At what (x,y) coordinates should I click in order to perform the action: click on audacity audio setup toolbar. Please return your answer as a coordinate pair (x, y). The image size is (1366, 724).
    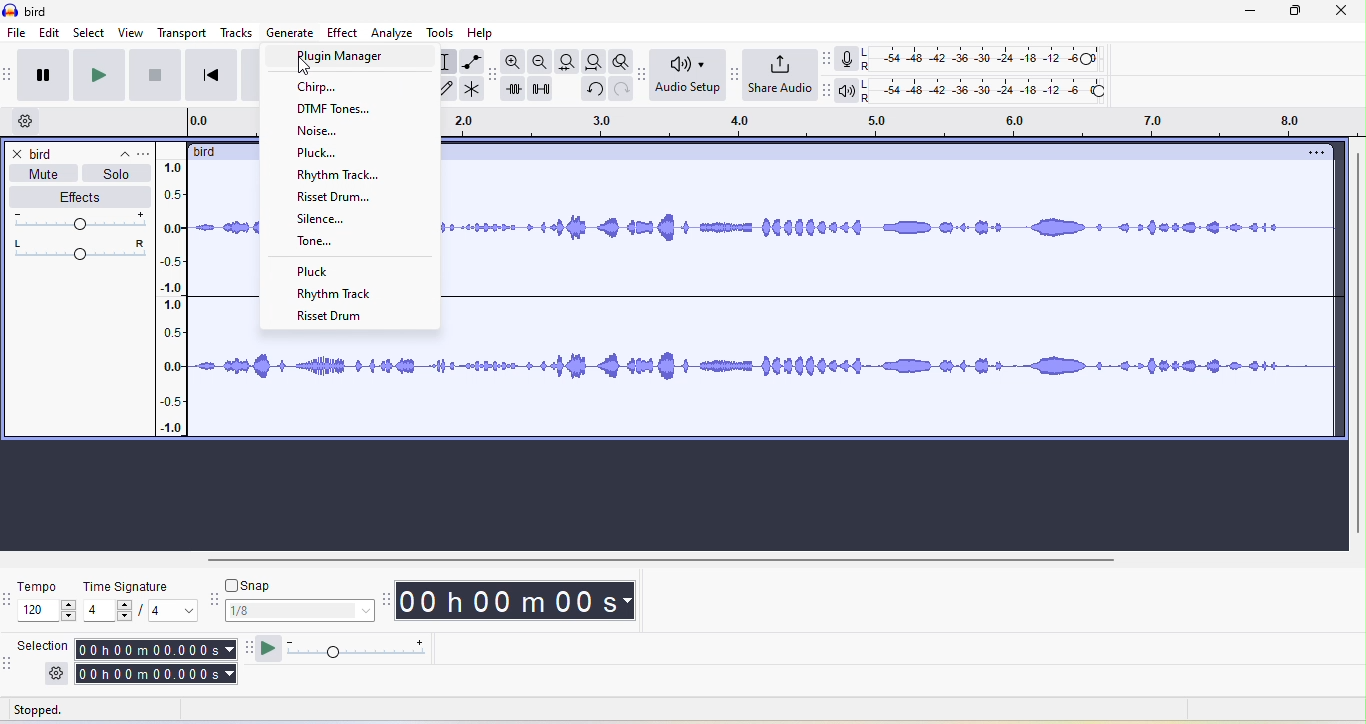
    Looking at the image, I should click on (641, 74).